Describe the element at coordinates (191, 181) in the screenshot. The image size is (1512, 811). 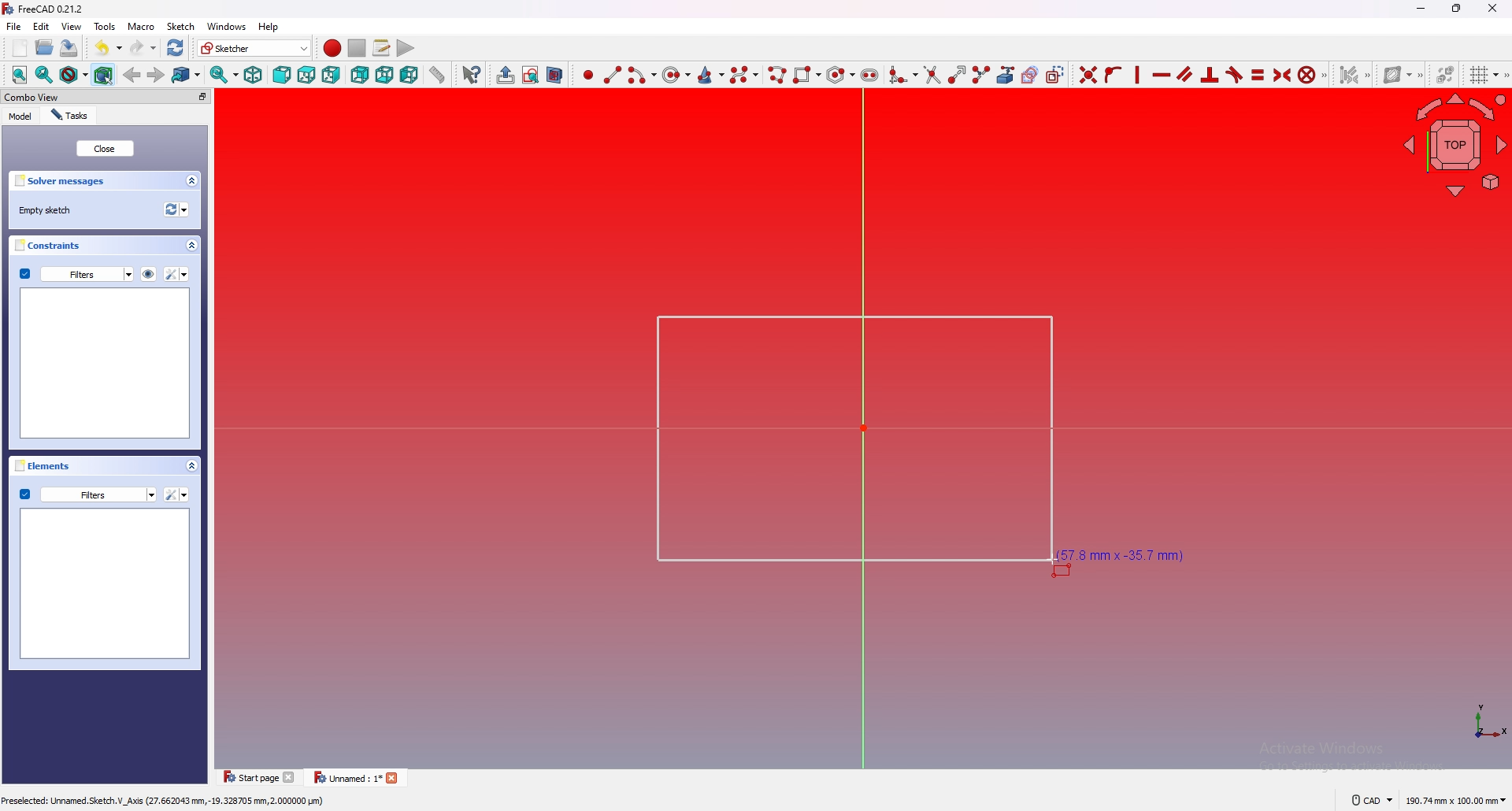
I see `collapse` at that location.